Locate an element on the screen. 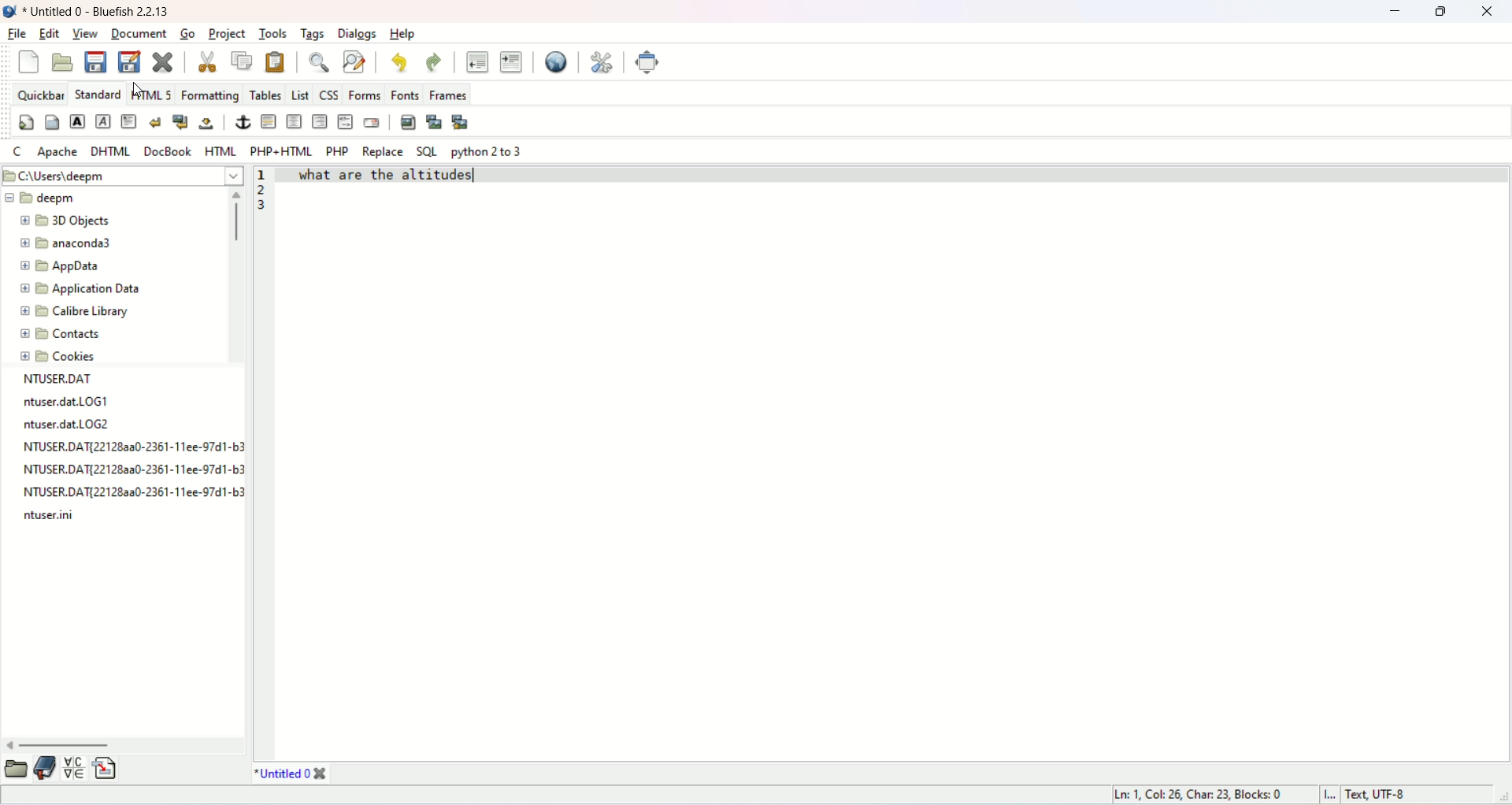 The height and width of the screenshot is (805, 1512). paragraph is located at coordinates (131, 121).